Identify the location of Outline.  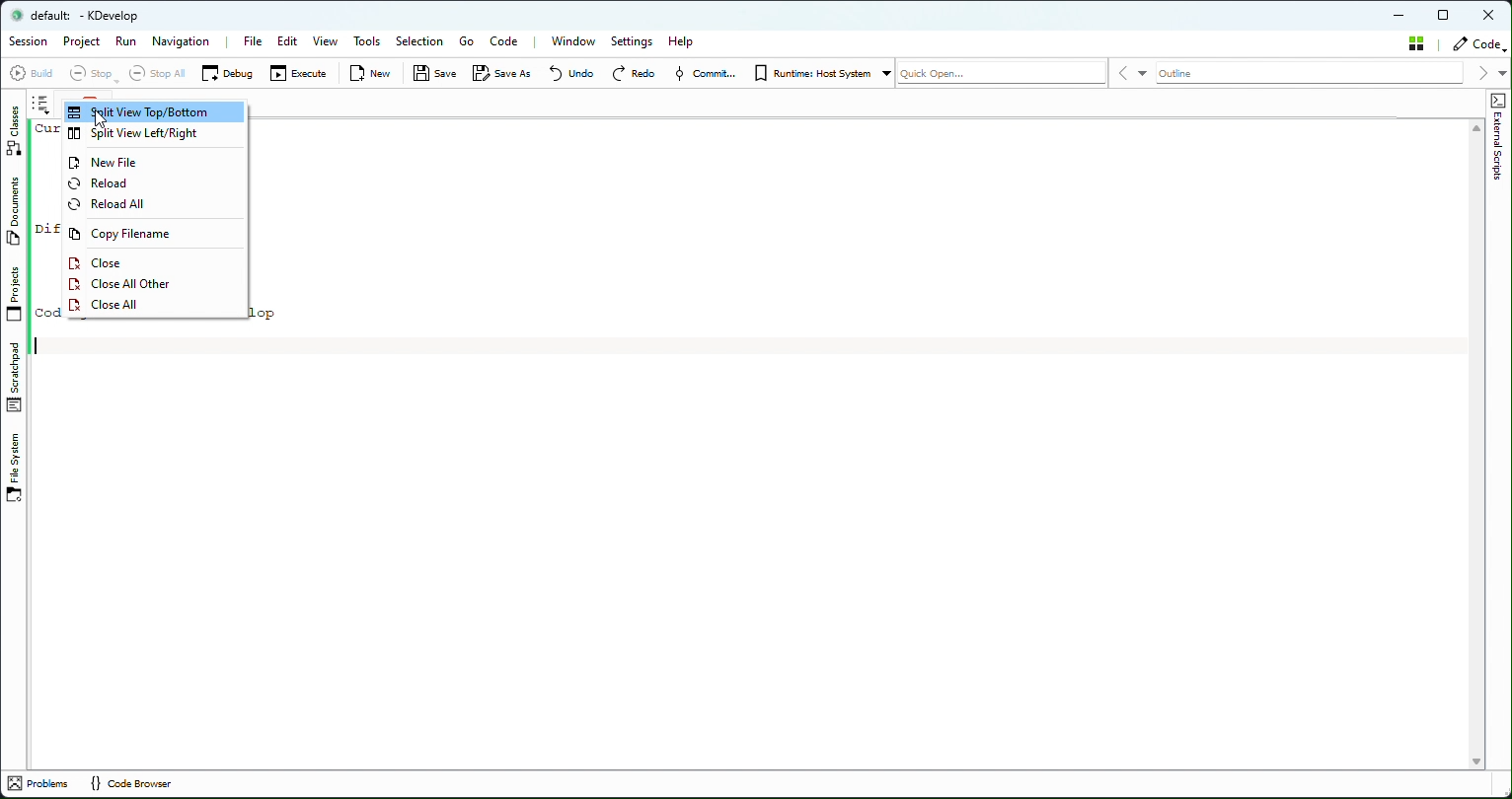
(1315, 73).